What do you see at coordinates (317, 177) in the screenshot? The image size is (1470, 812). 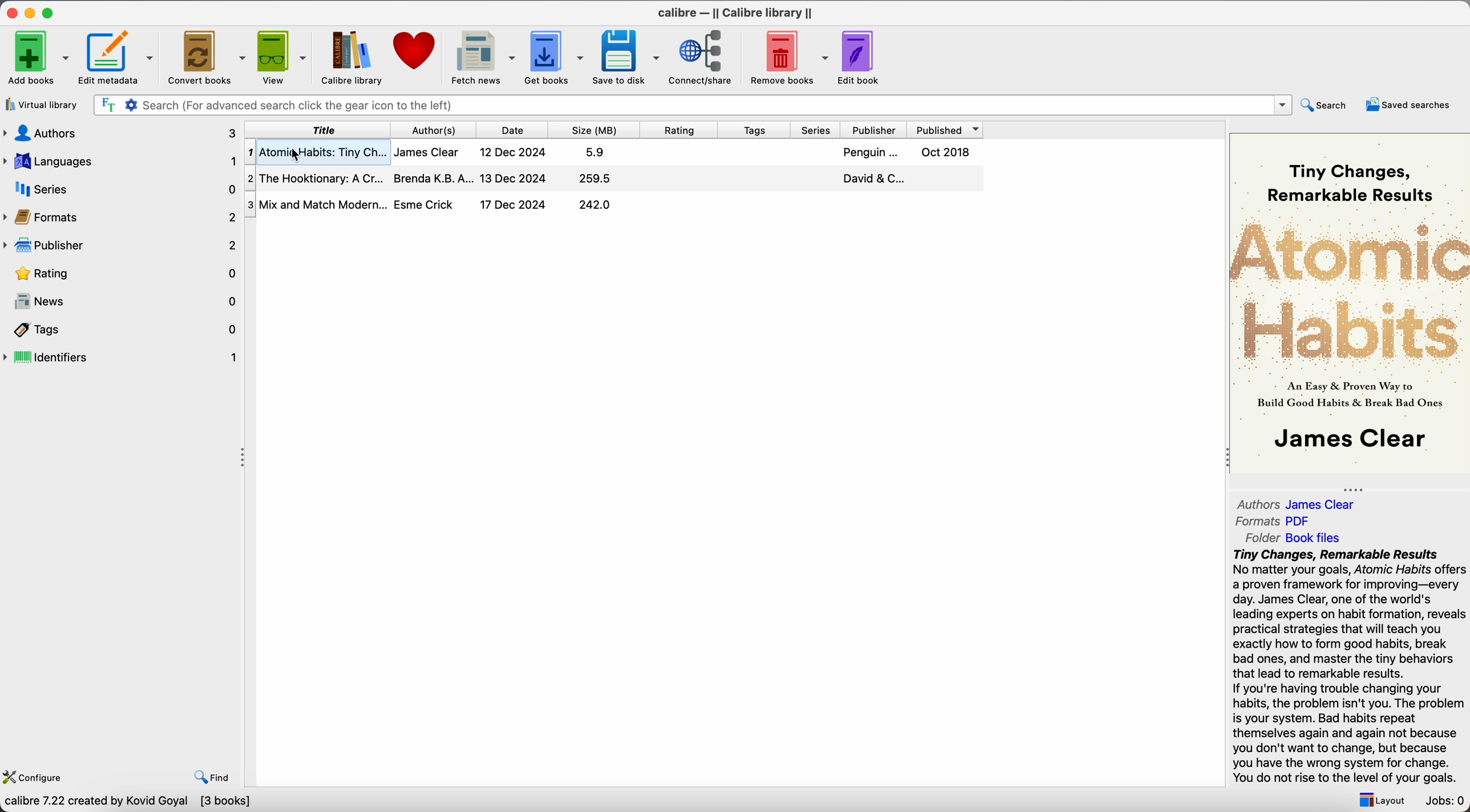 I see `The Hooktionary: A Cr...` at bounding box center [317, 177].